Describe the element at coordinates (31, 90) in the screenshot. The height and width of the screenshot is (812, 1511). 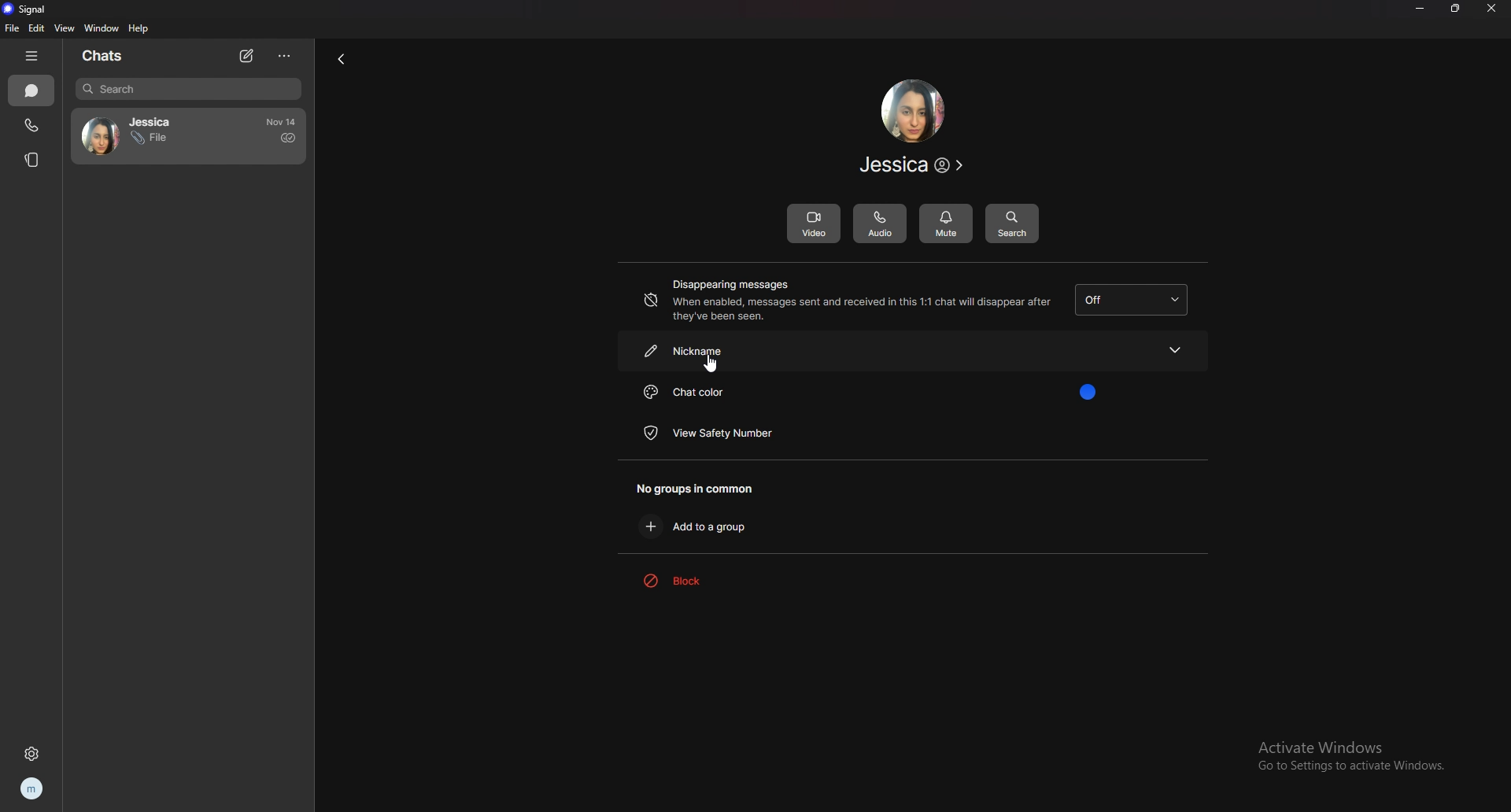
I see `chats` at that location.